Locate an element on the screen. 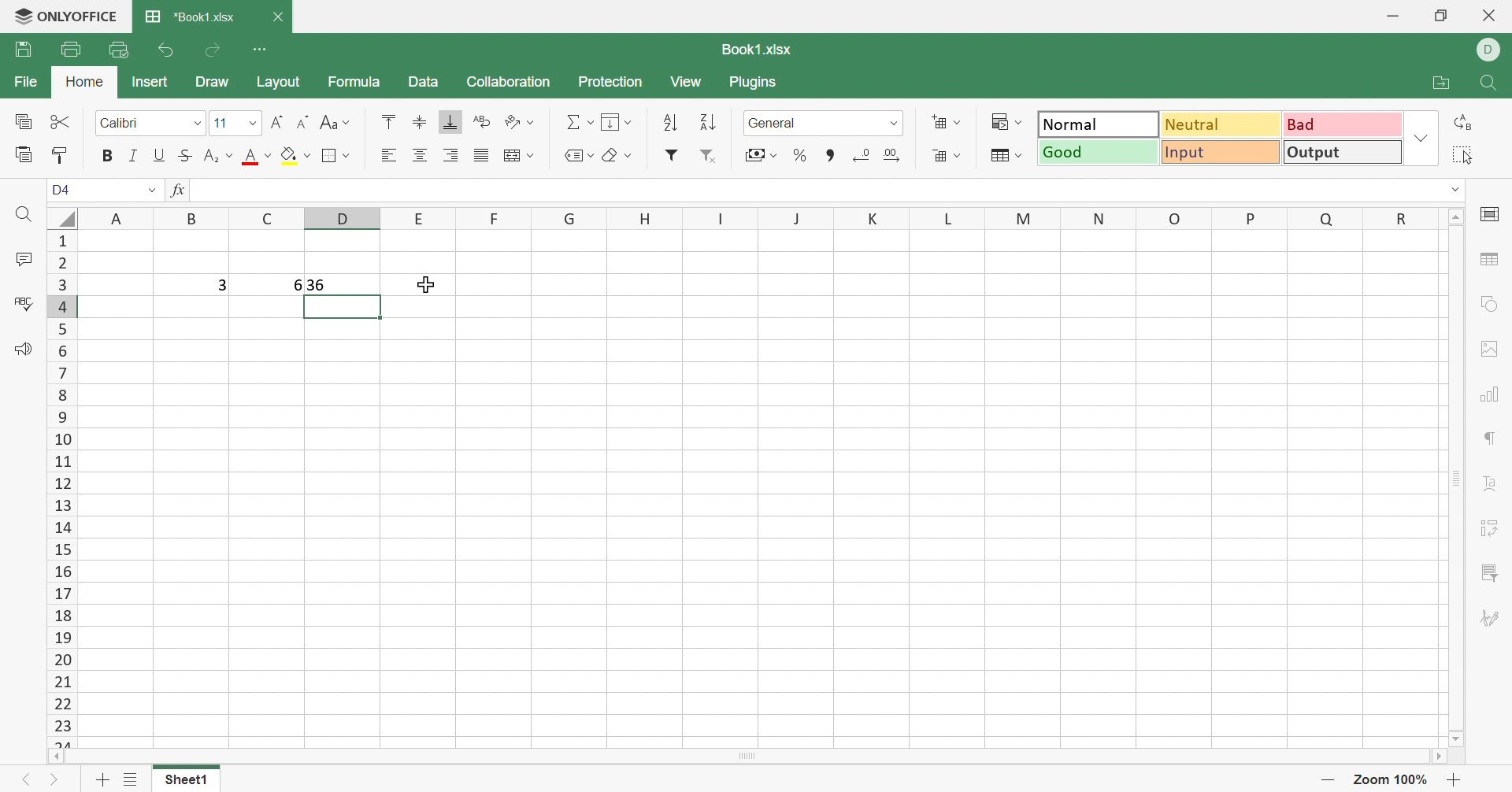 Image resolution: width=1512 pixels, height=792 pixels. Zoom out 57% is located at coordinates (1390, 779).